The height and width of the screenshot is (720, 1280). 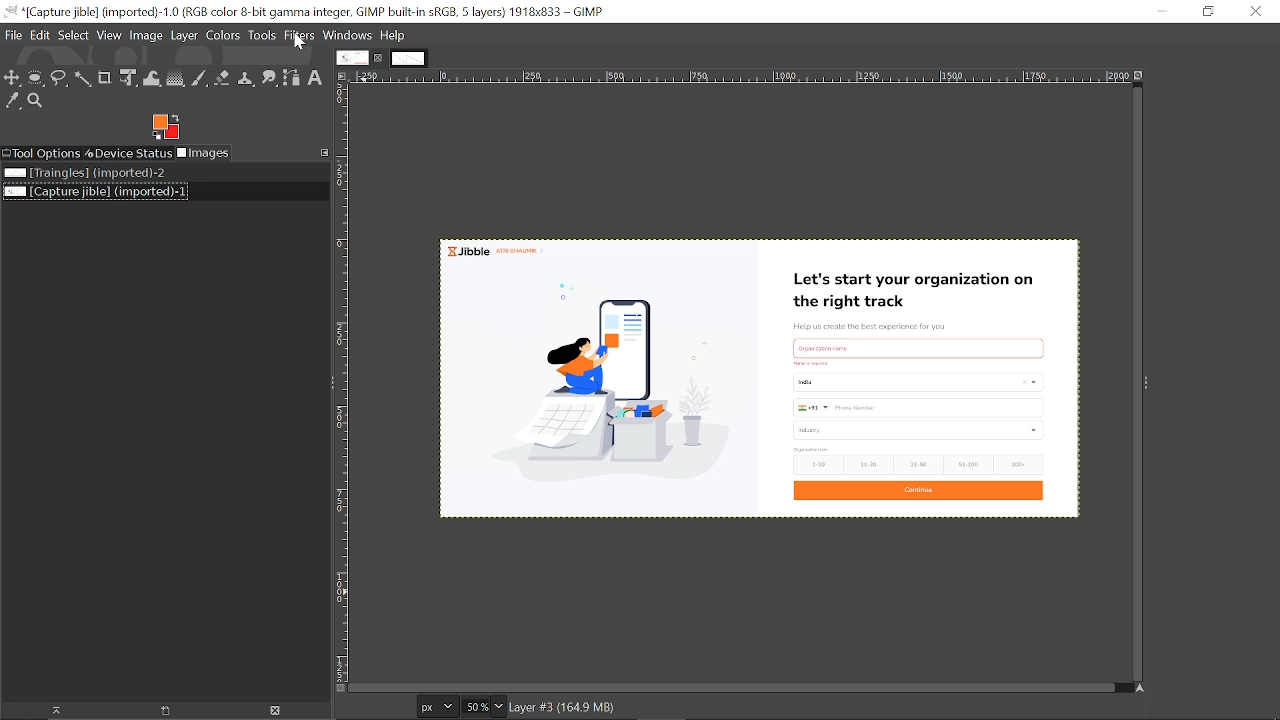 What do you see at coordinates (105, 78) in the screenshot?
I see `Crop tool` at bounding box center [105, 78].